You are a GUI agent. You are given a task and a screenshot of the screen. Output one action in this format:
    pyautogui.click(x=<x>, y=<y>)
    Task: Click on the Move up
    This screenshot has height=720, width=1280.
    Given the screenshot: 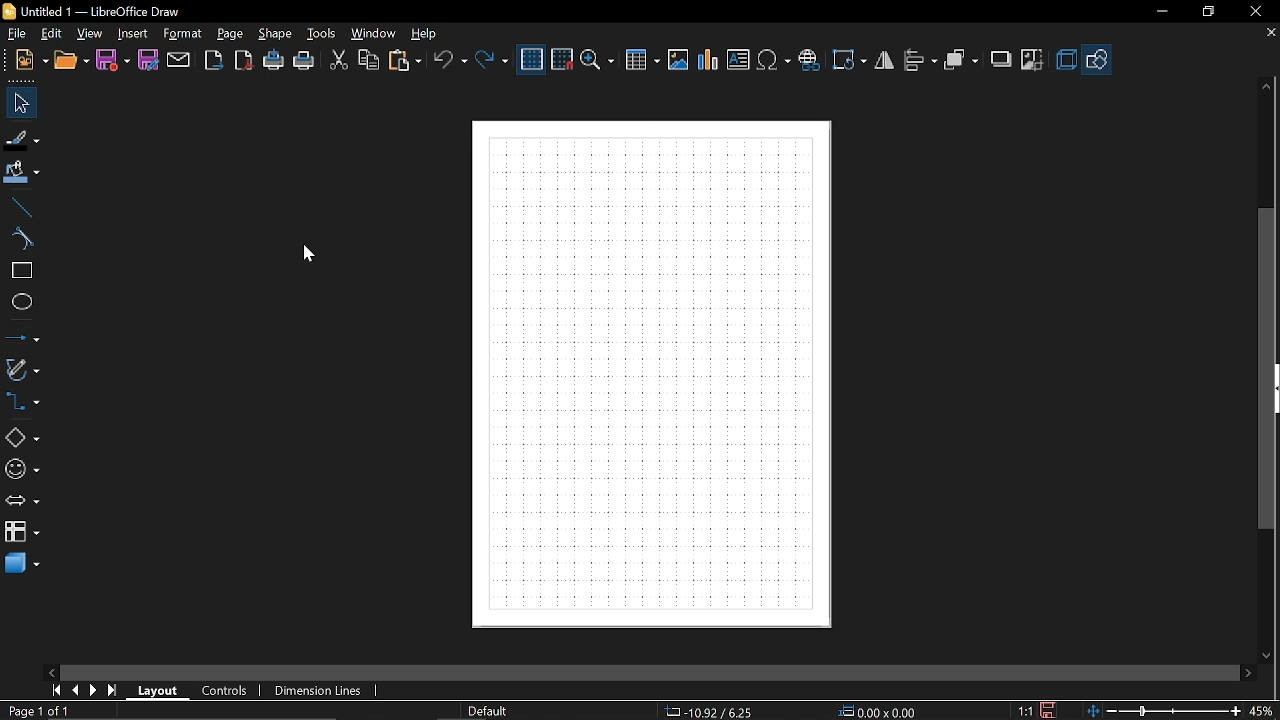 What is the action you would take?
    pyautogui.click(x=1266, y=87)
    